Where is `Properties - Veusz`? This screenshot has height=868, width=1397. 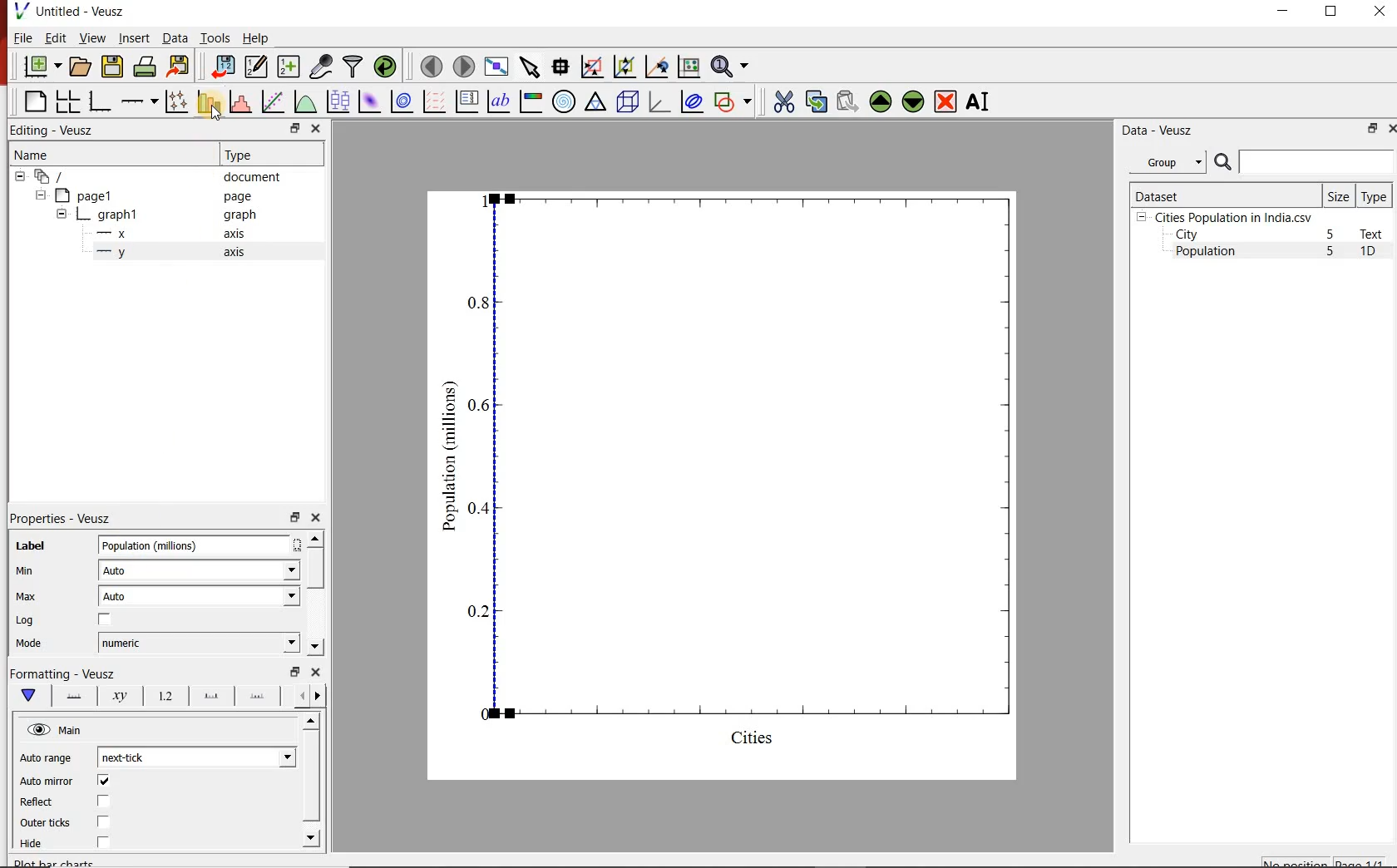 Properties - Veusz is located at coordinates (60, 519).